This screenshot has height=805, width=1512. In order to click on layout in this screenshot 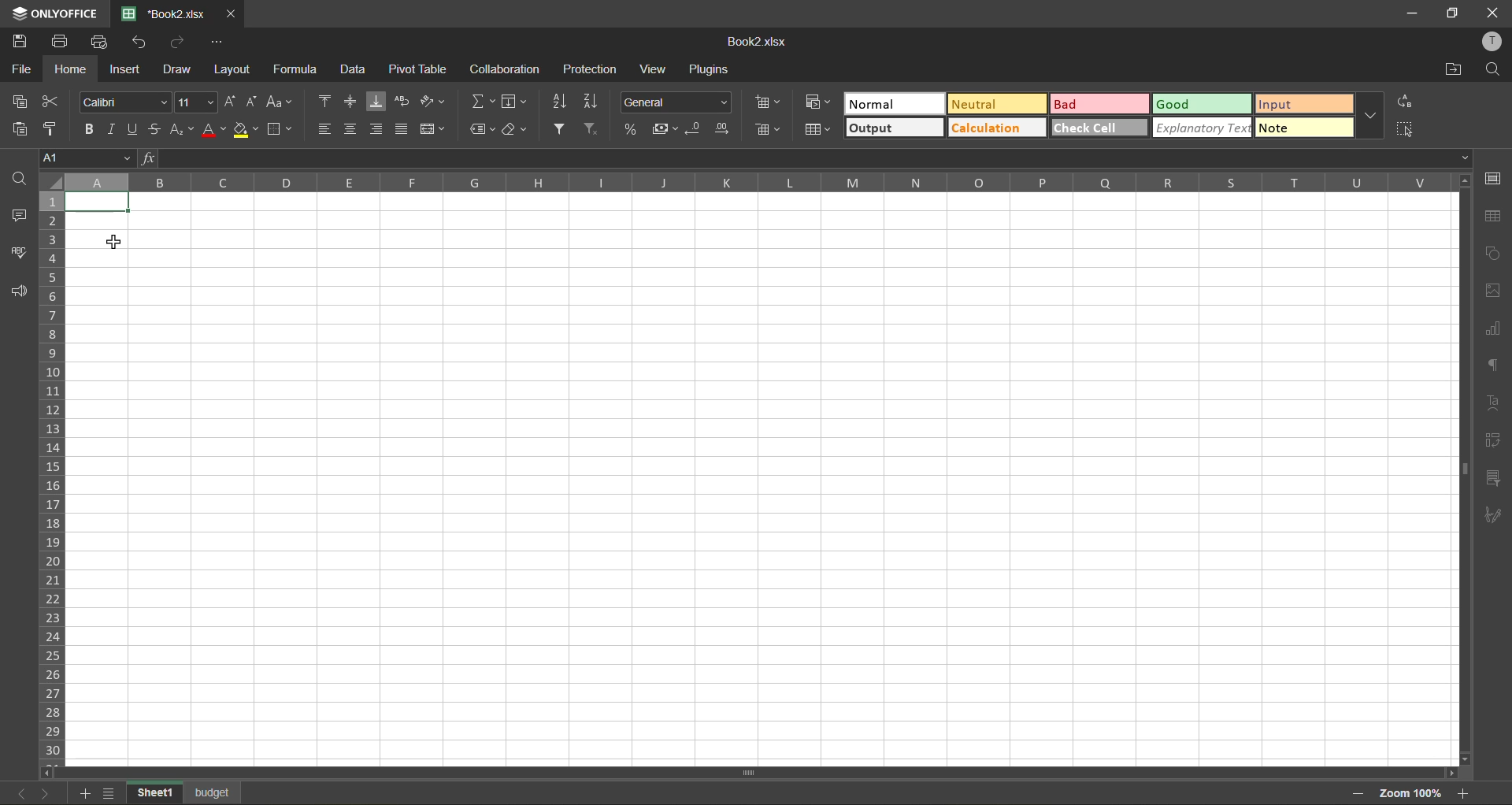, I will do `click(233, 69)`.